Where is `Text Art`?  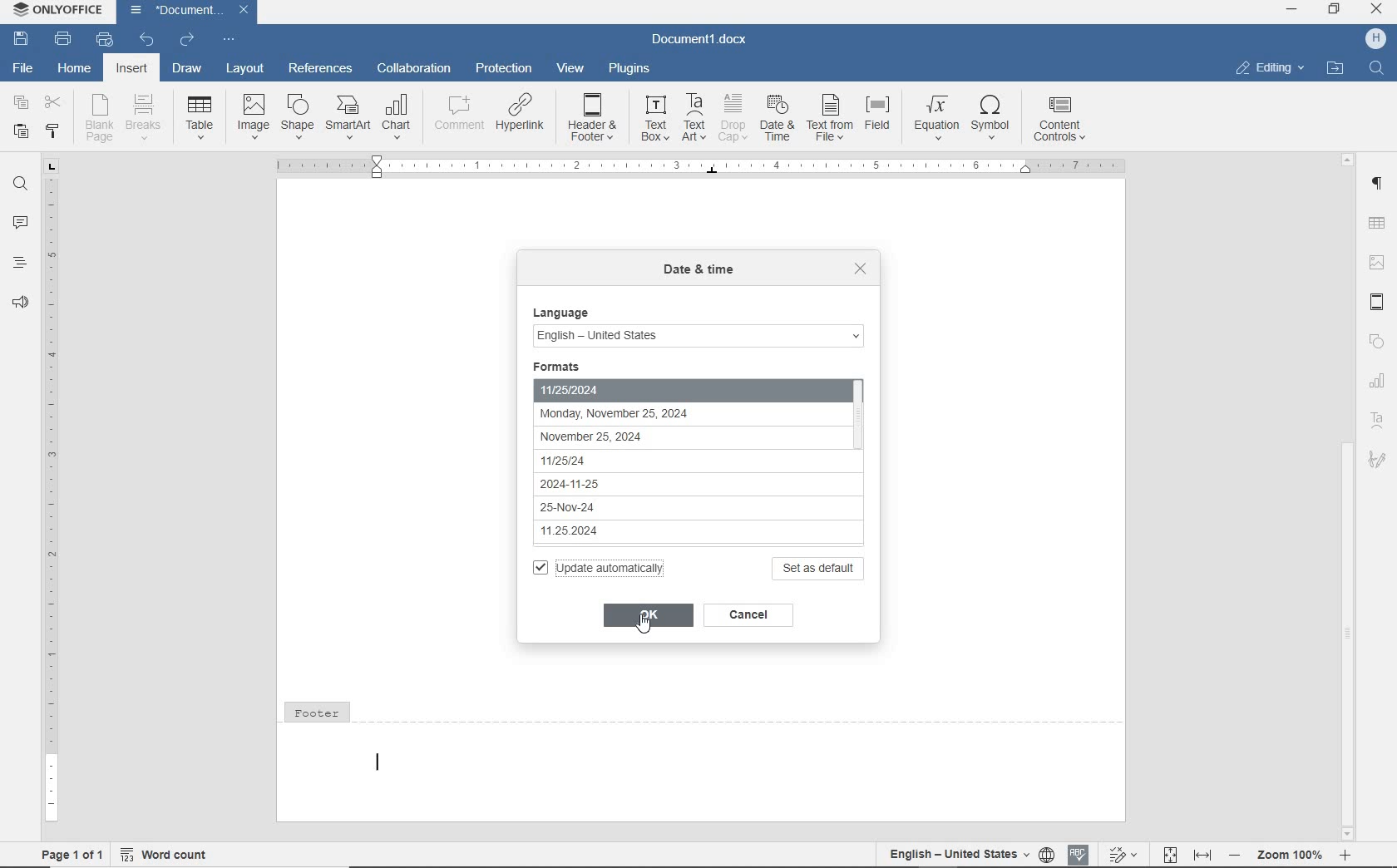 Text Art is located at coordinates (1377, 423).